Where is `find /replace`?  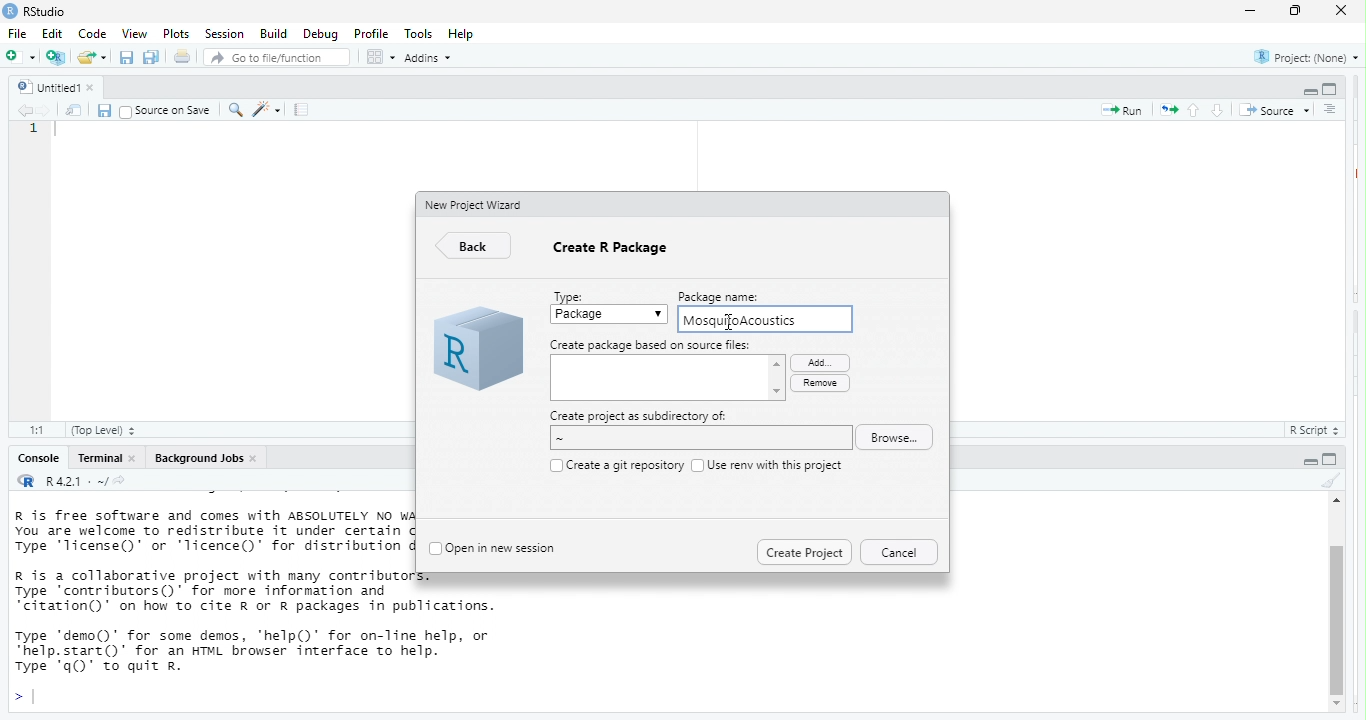
find /replace is located at coordinates (235, 110).